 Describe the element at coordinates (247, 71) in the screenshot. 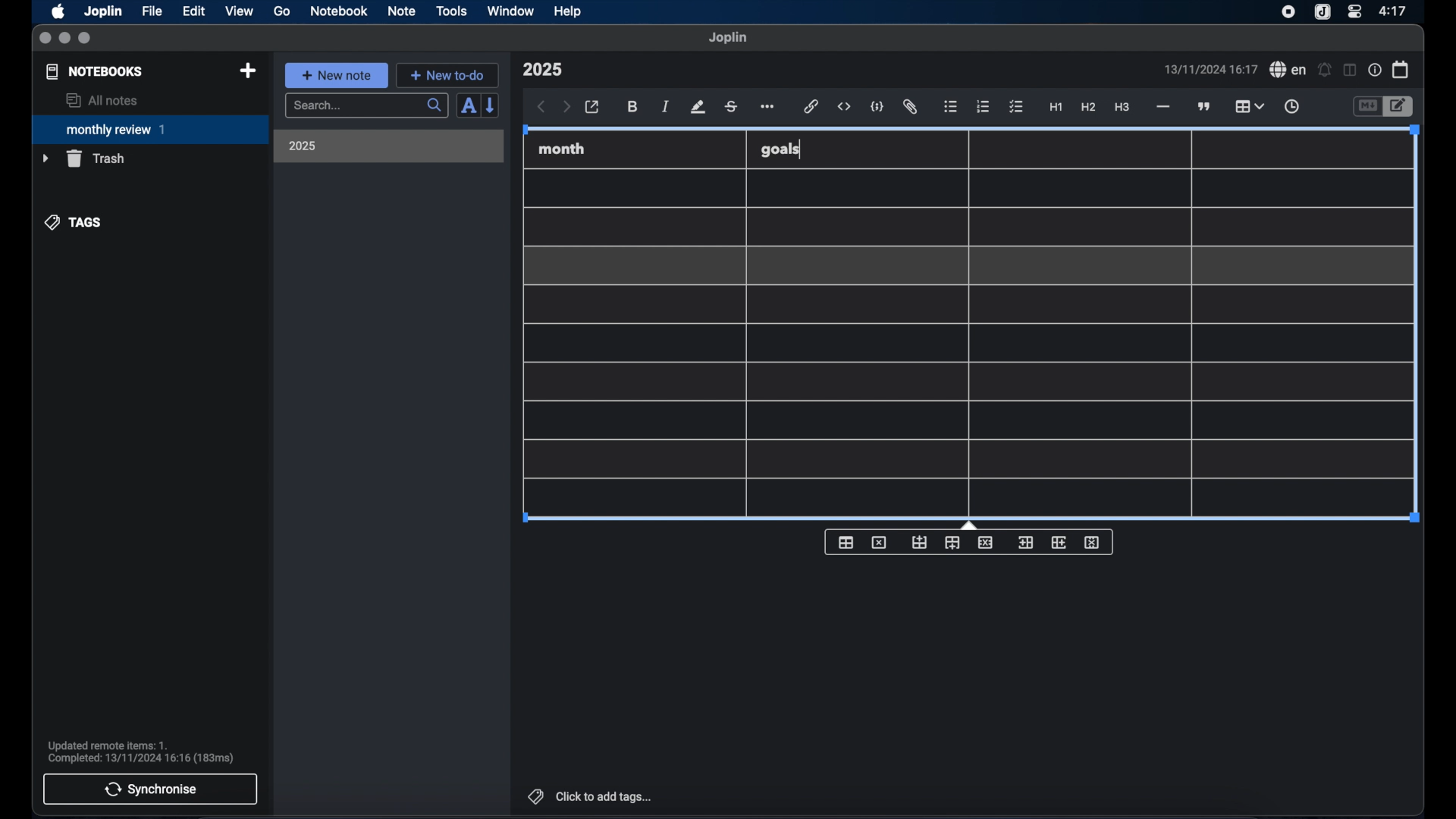

I see `new notebook` at that location.